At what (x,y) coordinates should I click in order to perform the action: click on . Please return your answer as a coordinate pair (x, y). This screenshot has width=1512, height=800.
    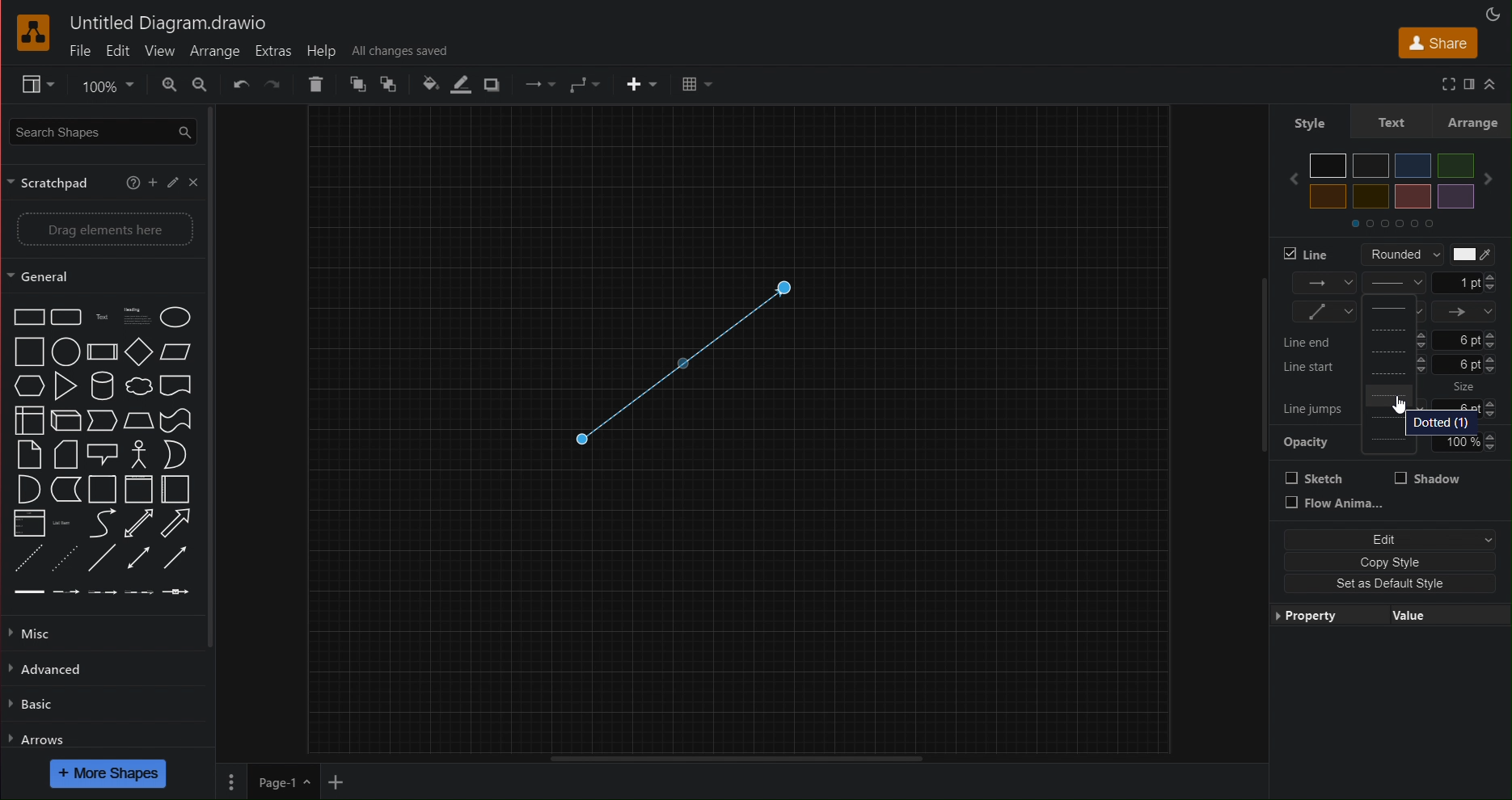
    Looking at the image, I should click on (1466, 387).